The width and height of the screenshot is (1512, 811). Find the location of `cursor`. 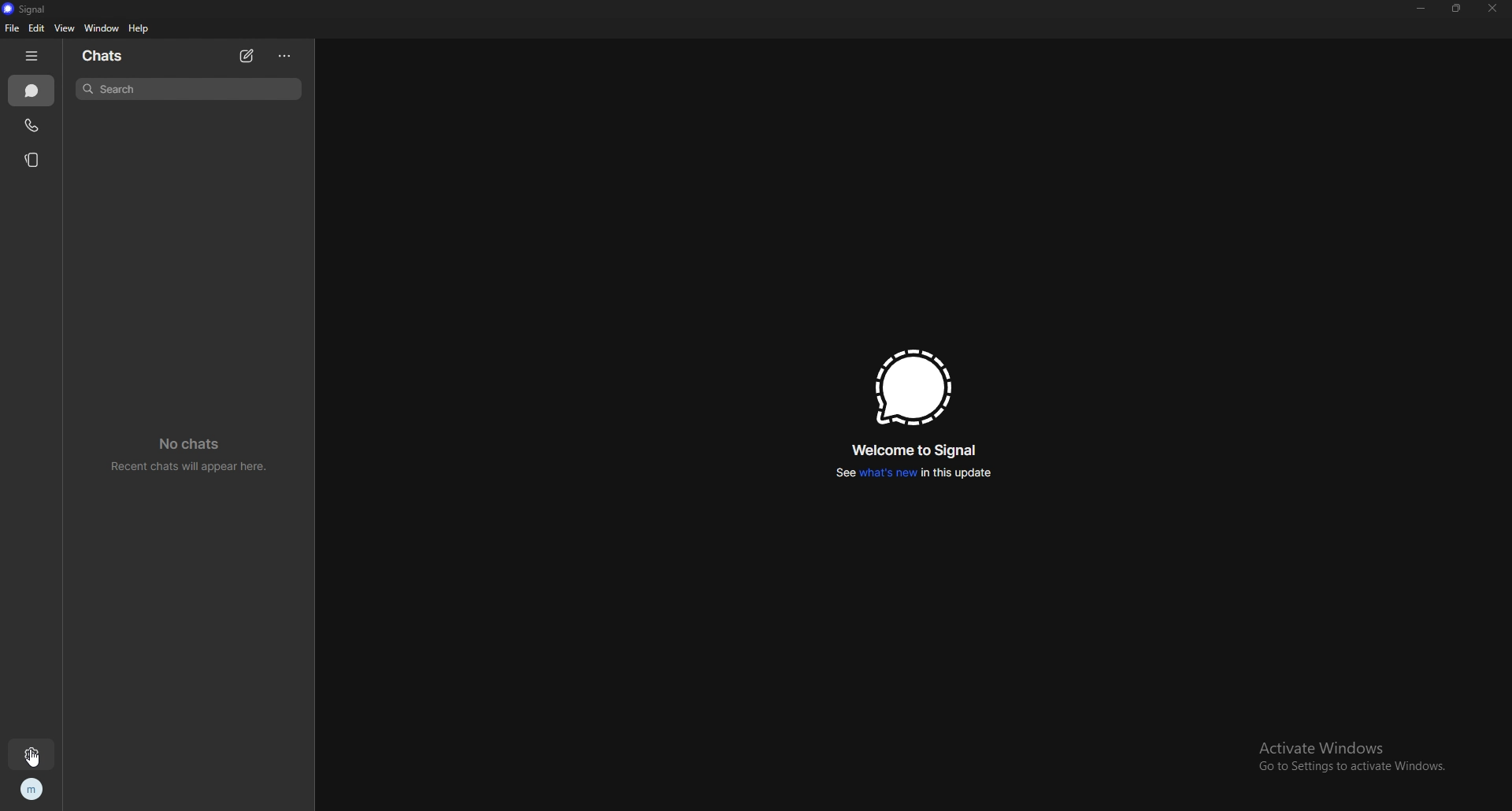

cursor is located at coordinates (31, 756).